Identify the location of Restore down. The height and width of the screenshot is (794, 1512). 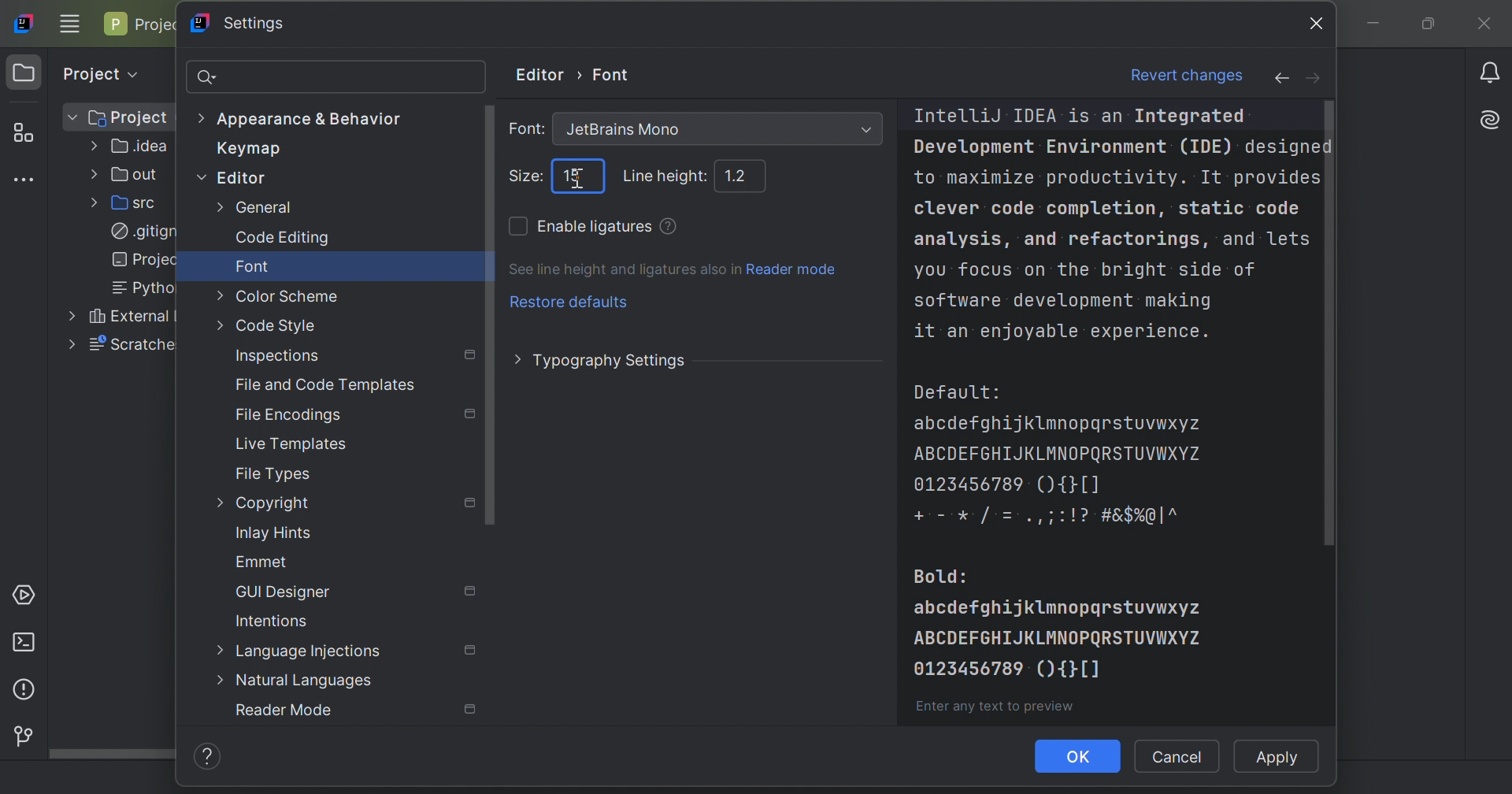
(1426, 25).